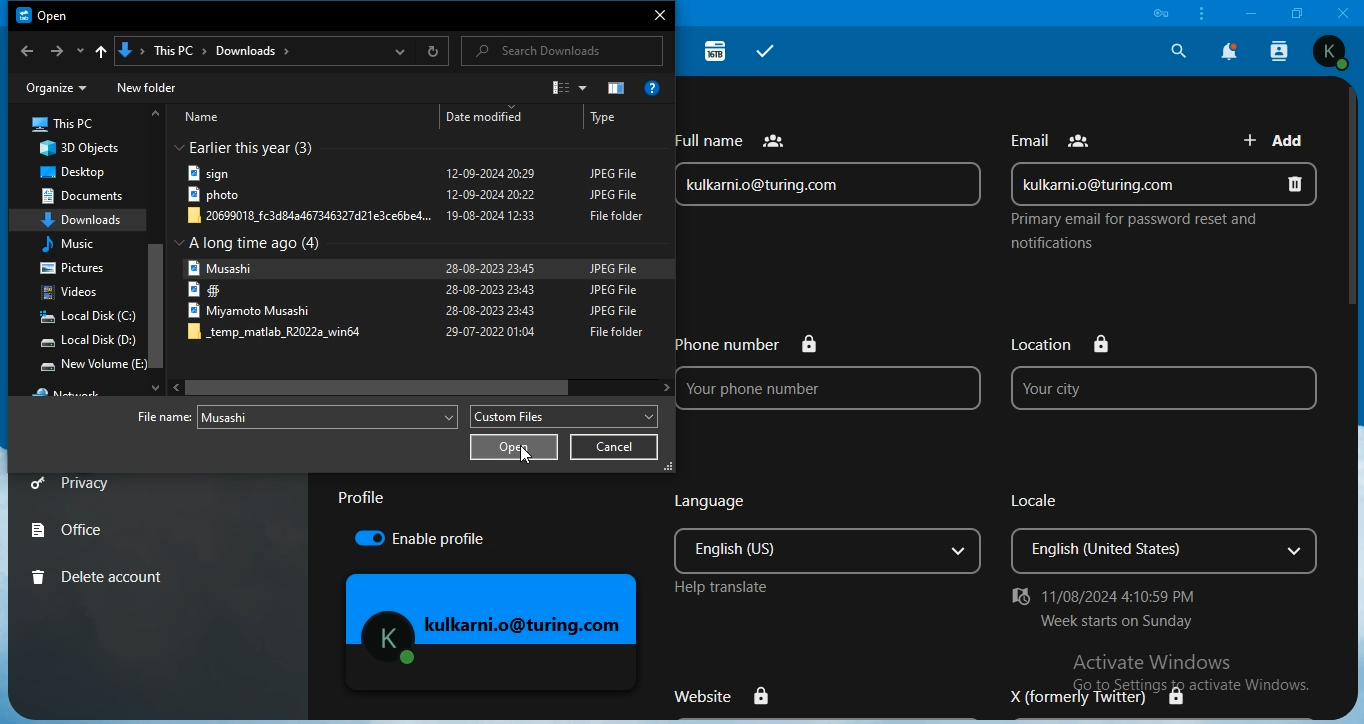 The height and width of the screenshot is (724, 1364). What do you see at coordinates (614, 448) in the screenshot?
I see `cancel` at bounding box center [614, 448].